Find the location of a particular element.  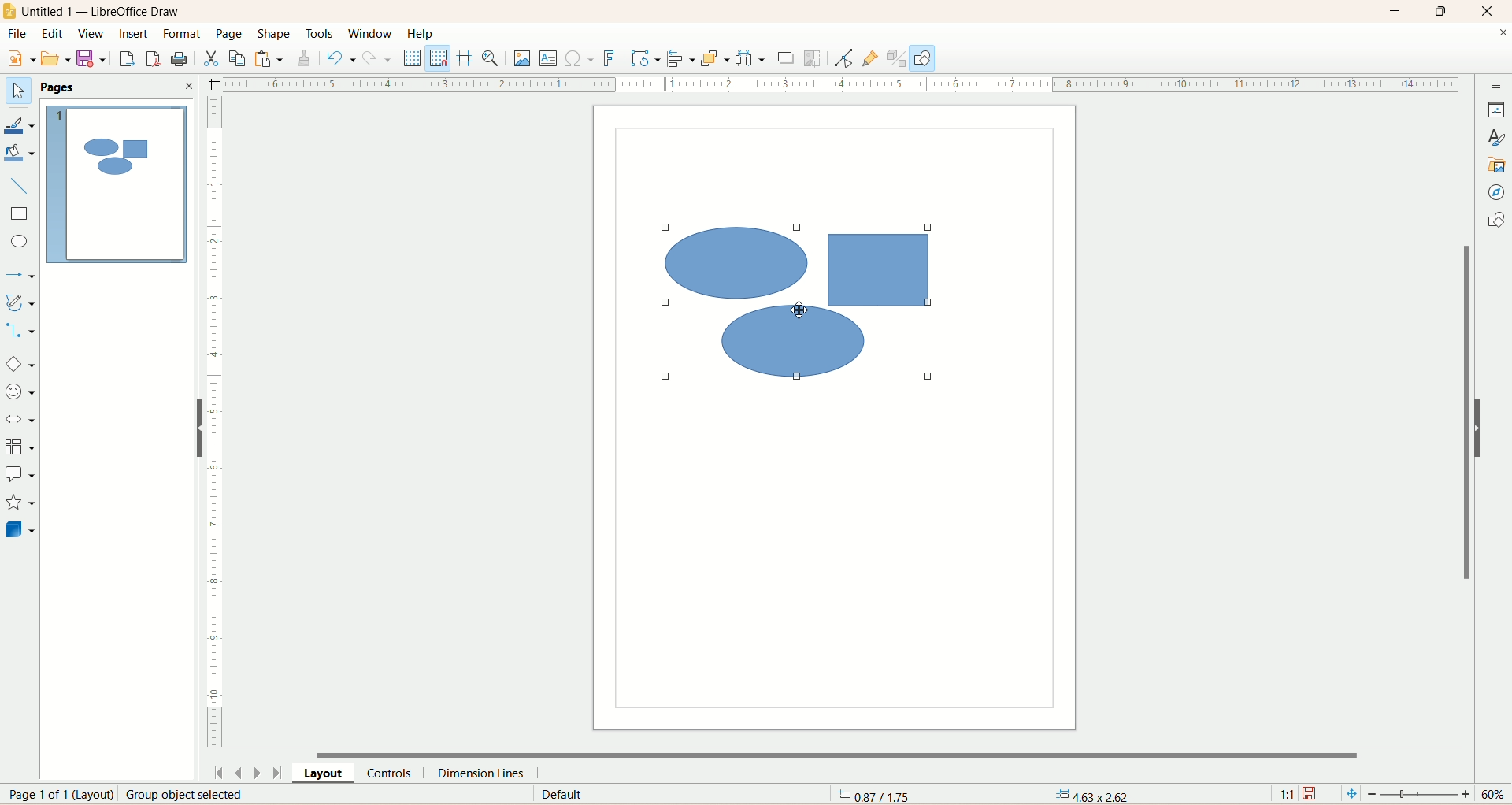

last page is located at coordinates (281, 772).